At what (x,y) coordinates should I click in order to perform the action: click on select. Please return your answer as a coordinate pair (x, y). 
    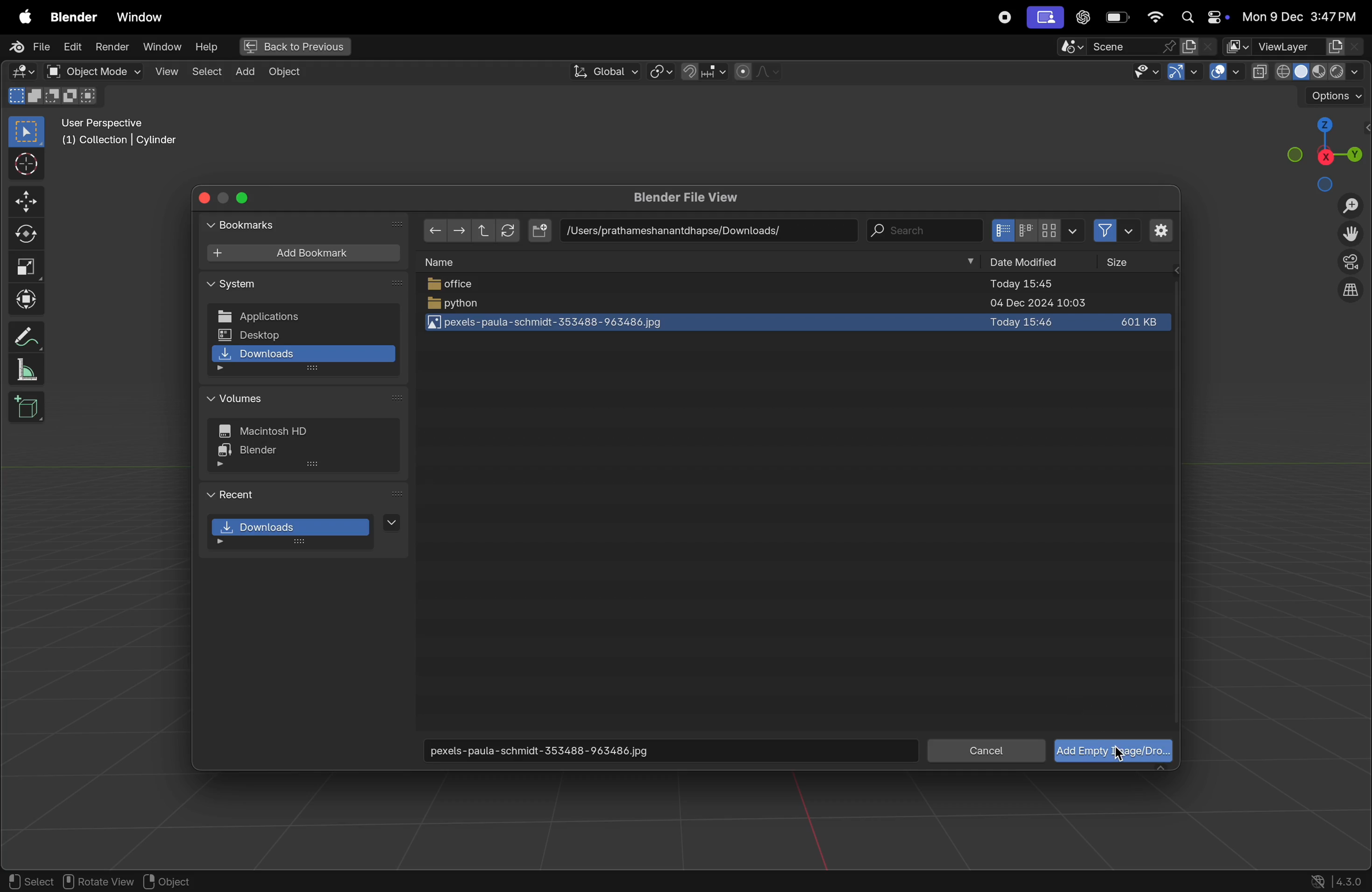
    Looking at the image, I should click on (29, 881).